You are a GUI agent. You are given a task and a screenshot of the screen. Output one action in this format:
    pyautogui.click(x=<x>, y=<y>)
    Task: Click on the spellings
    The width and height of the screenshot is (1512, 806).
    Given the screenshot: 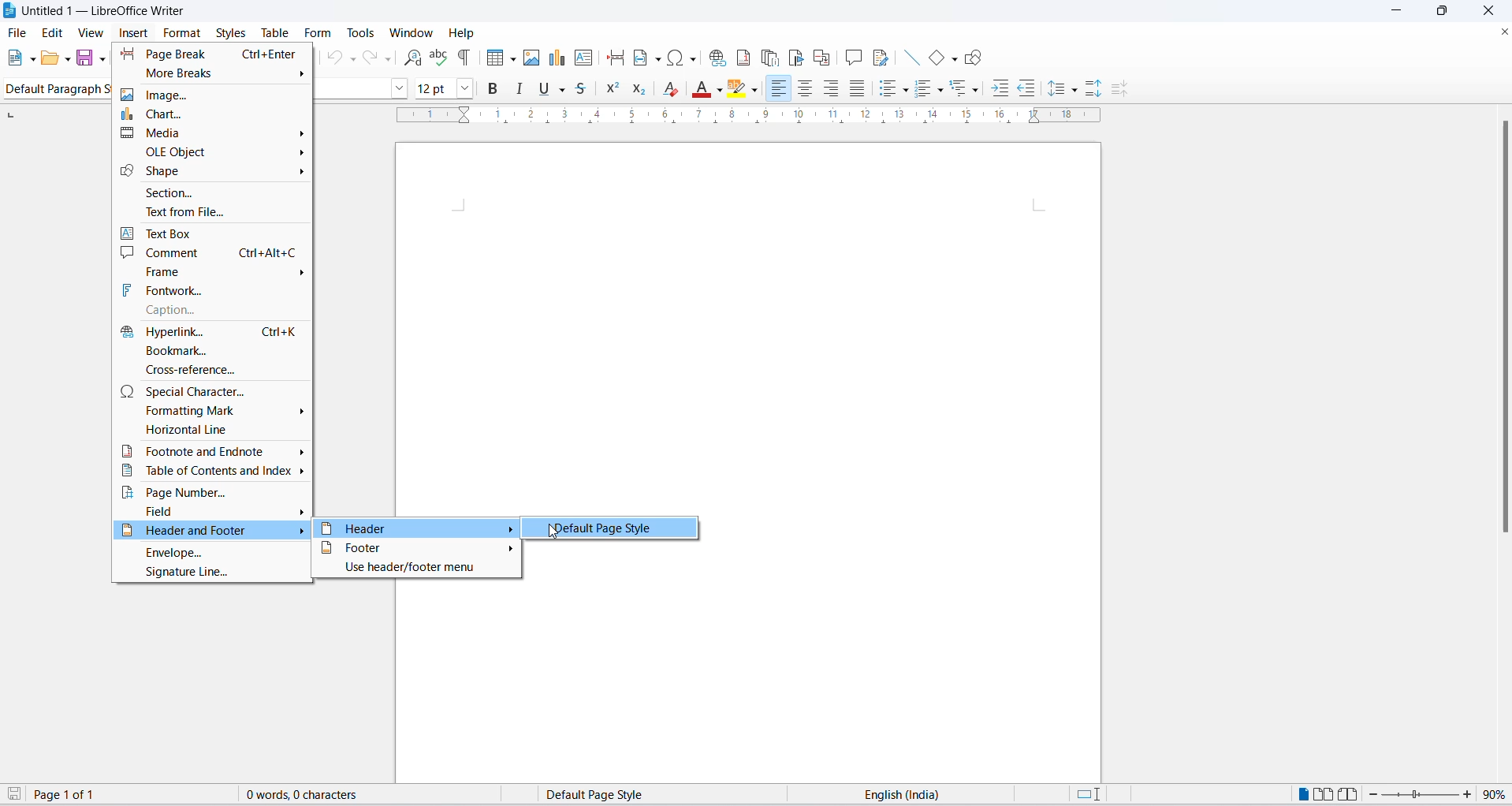 What is the action you would take?
    pyautogui.click(x=440, y=58)
    